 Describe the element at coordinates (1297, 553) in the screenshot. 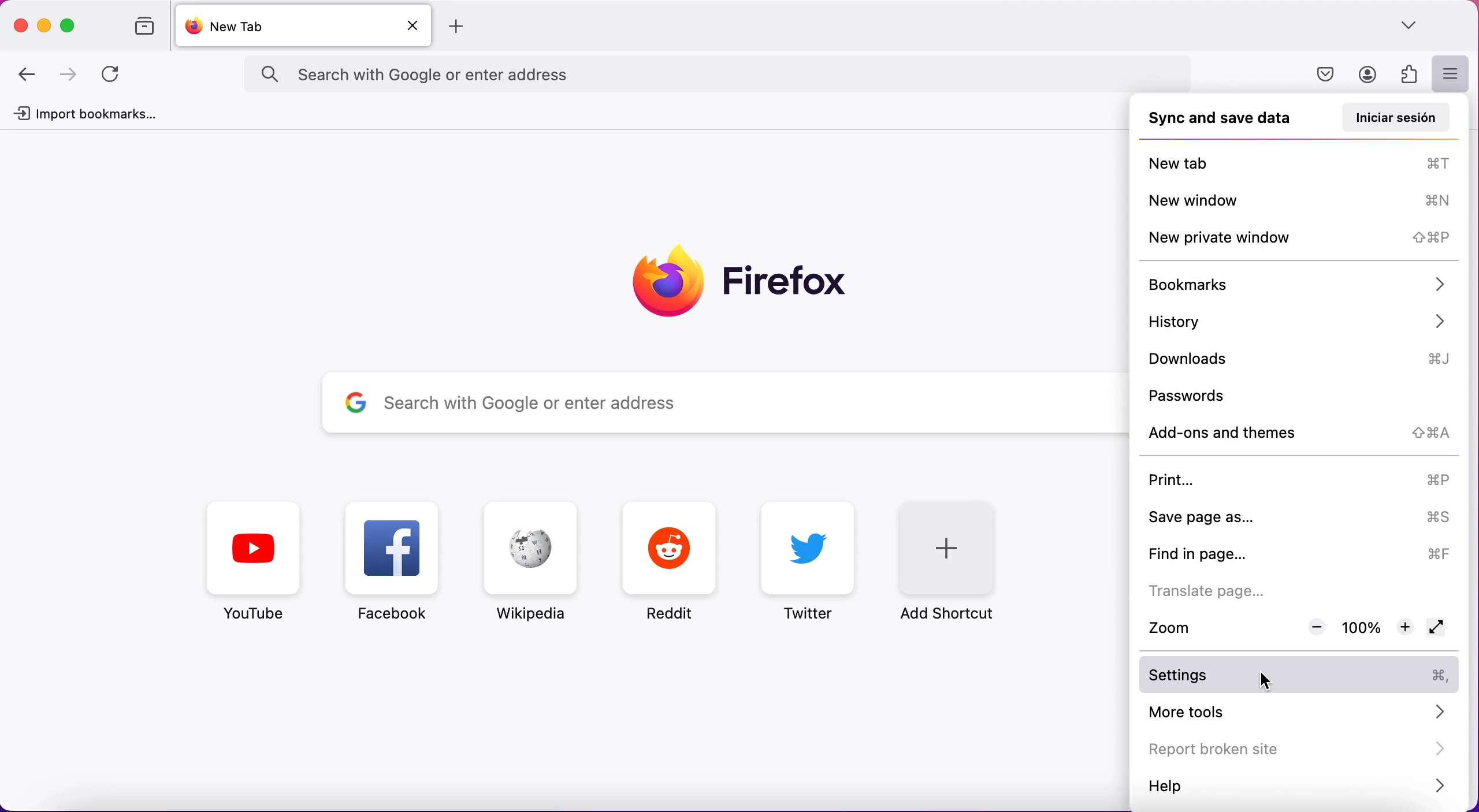

I see `find in page` at that location.